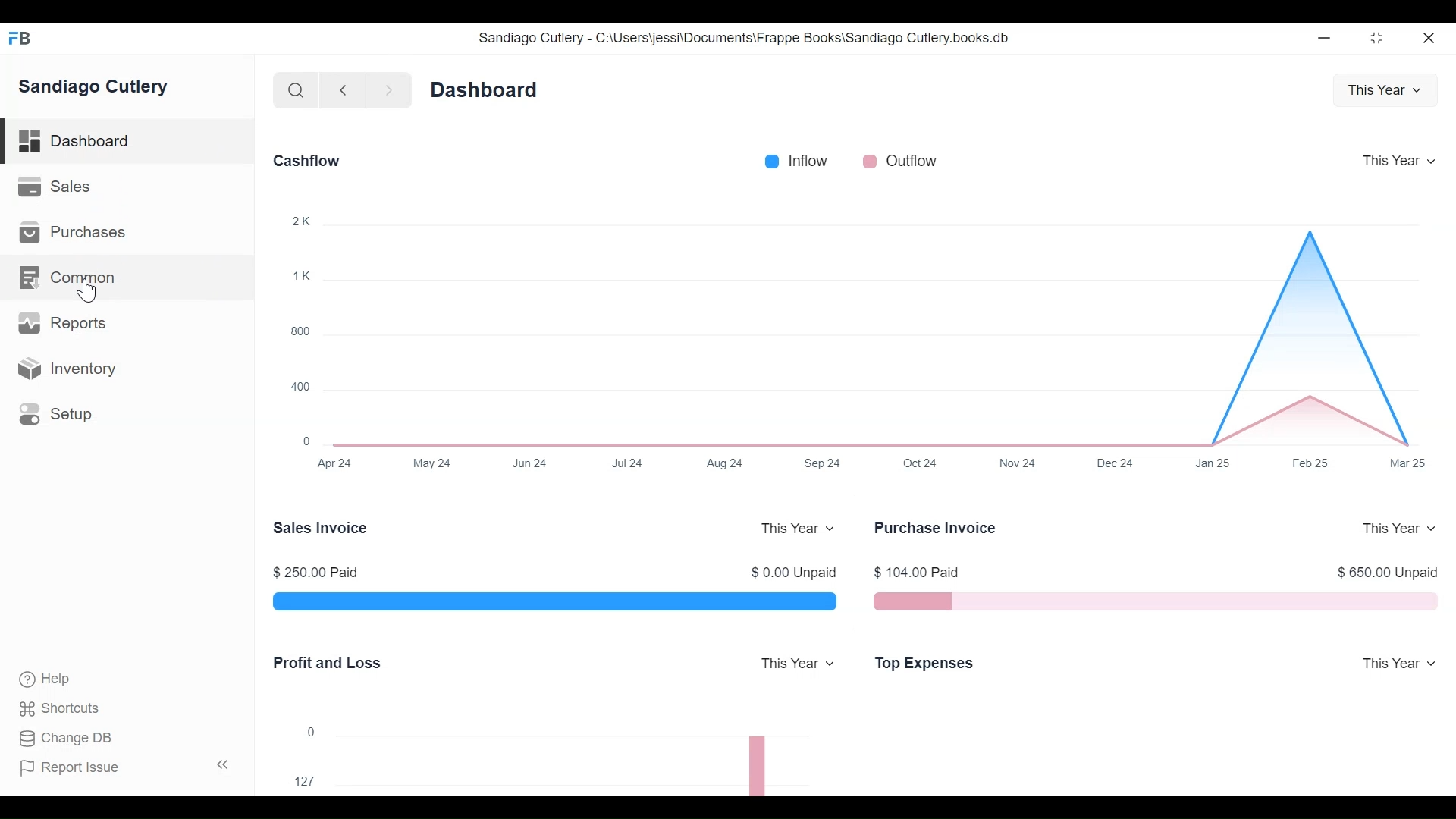  What do you see at coordinates (801, 160) in the screenshot?
I see `Inflow` at bounding box center [801, 160].